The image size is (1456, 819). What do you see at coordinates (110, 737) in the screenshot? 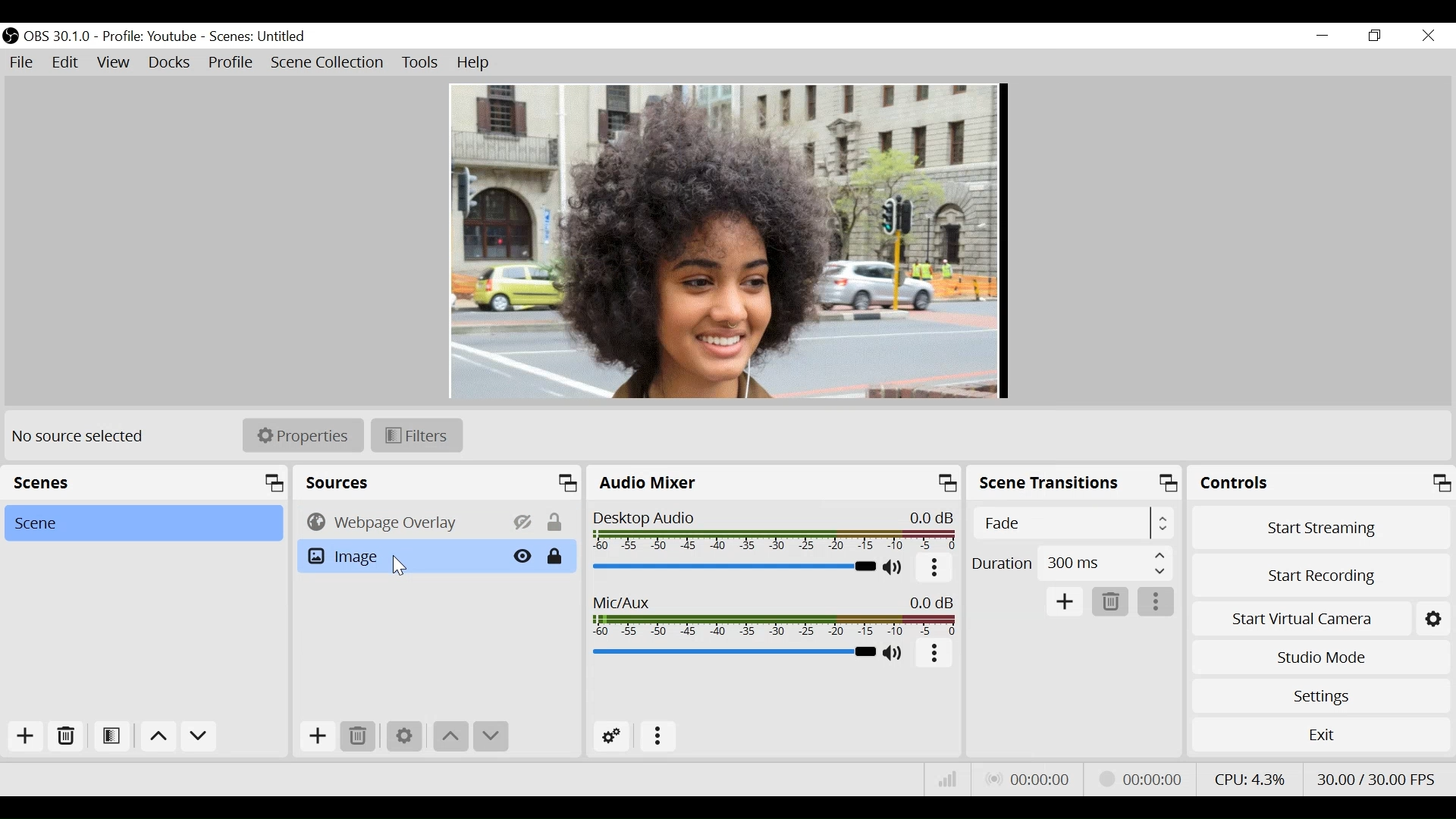
I see `Open Scene Filter` at bounding box center [110, 737].